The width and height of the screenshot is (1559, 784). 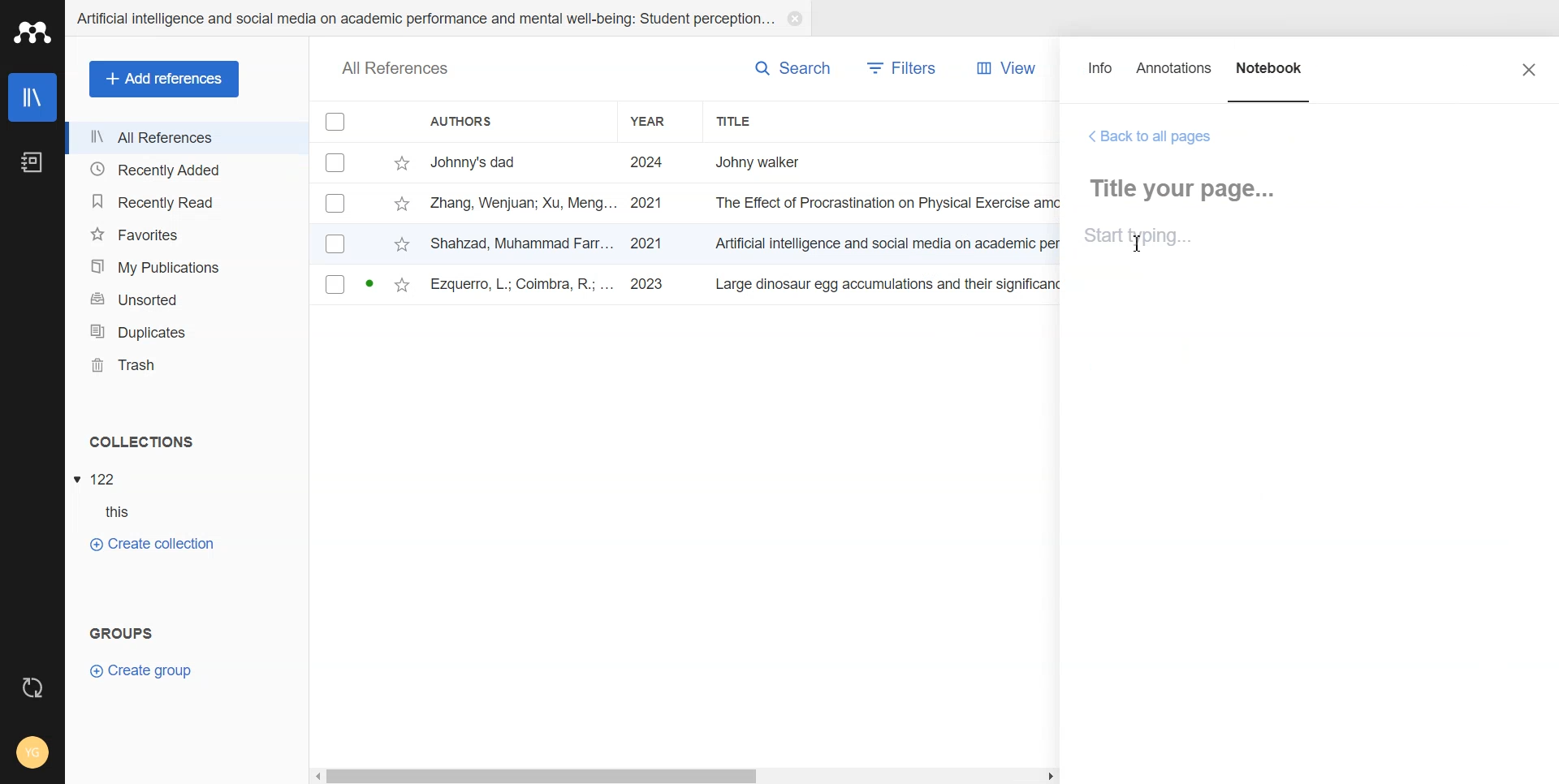 What do you see at coordinates (648, 163) in the screenshot?
I see `2024` at bounding box center [648, 163].